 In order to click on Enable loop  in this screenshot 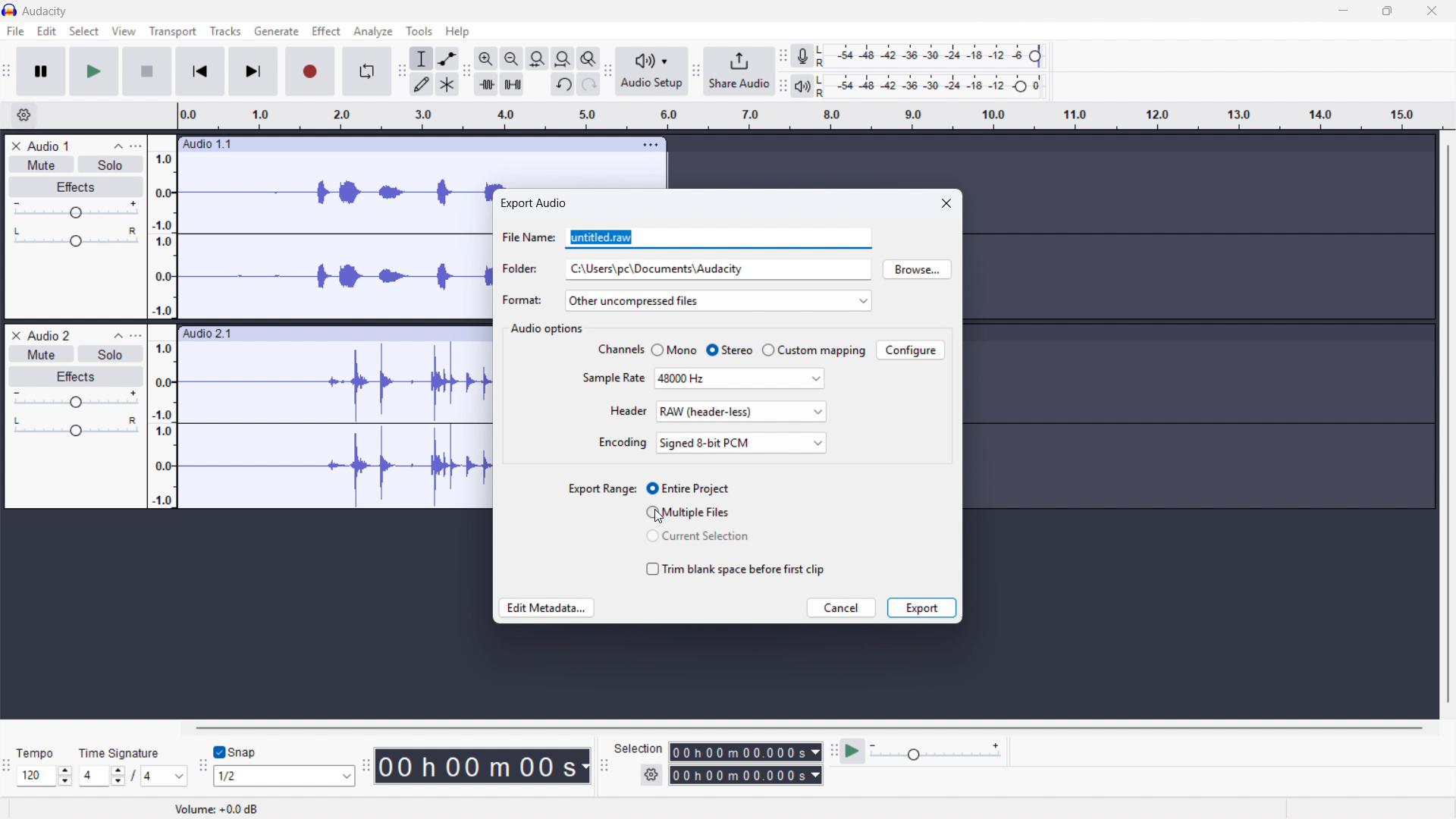, I will do `click(366, 71)`.